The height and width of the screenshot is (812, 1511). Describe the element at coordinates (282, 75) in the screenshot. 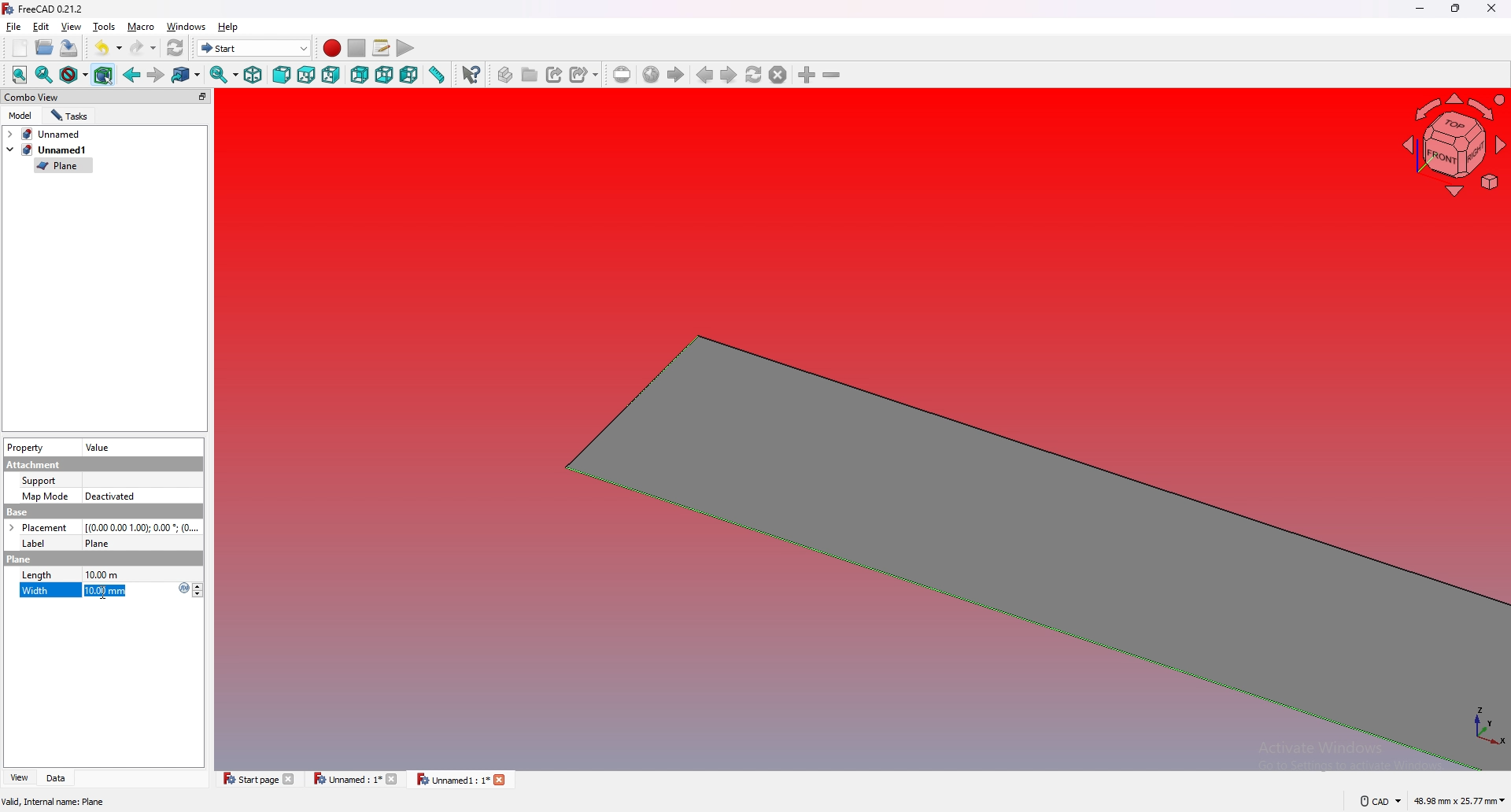

I see `front` at that location.